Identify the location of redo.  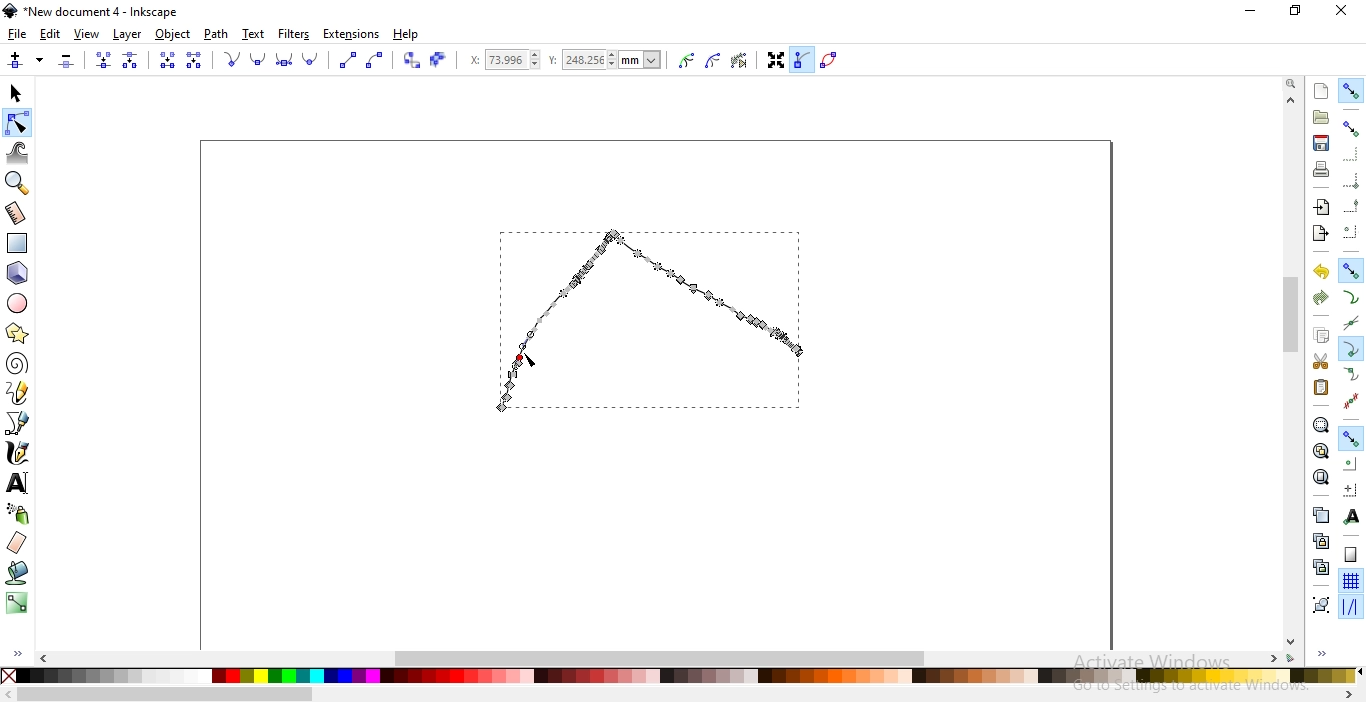
(1320, 298).